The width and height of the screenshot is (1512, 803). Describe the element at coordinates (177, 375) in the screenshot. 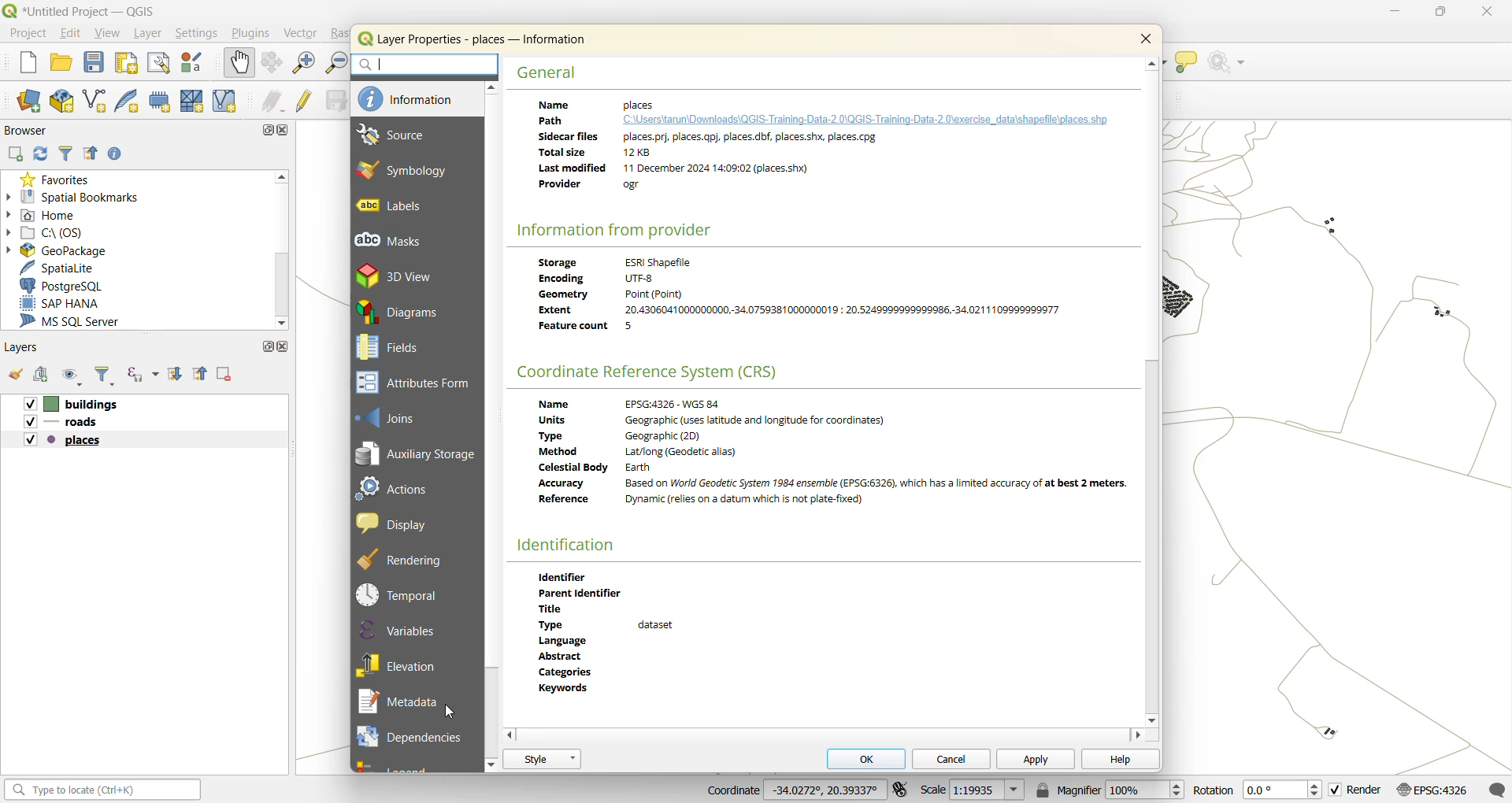

I see `expand all` at that location.